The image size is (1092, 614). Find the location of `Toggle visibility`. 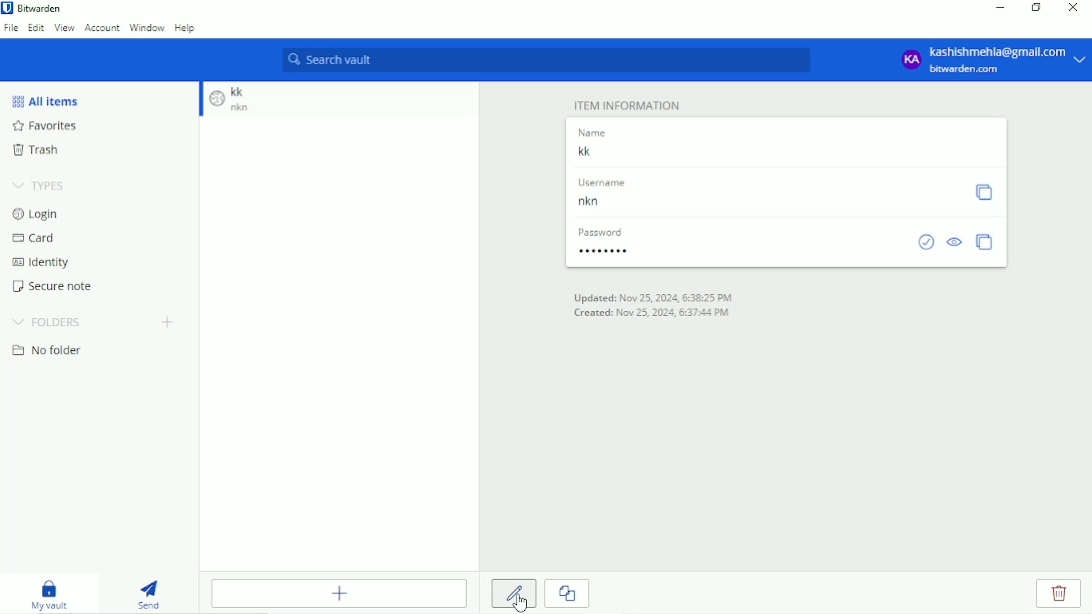

Toggle visibility is located at coordinates (956, 243).